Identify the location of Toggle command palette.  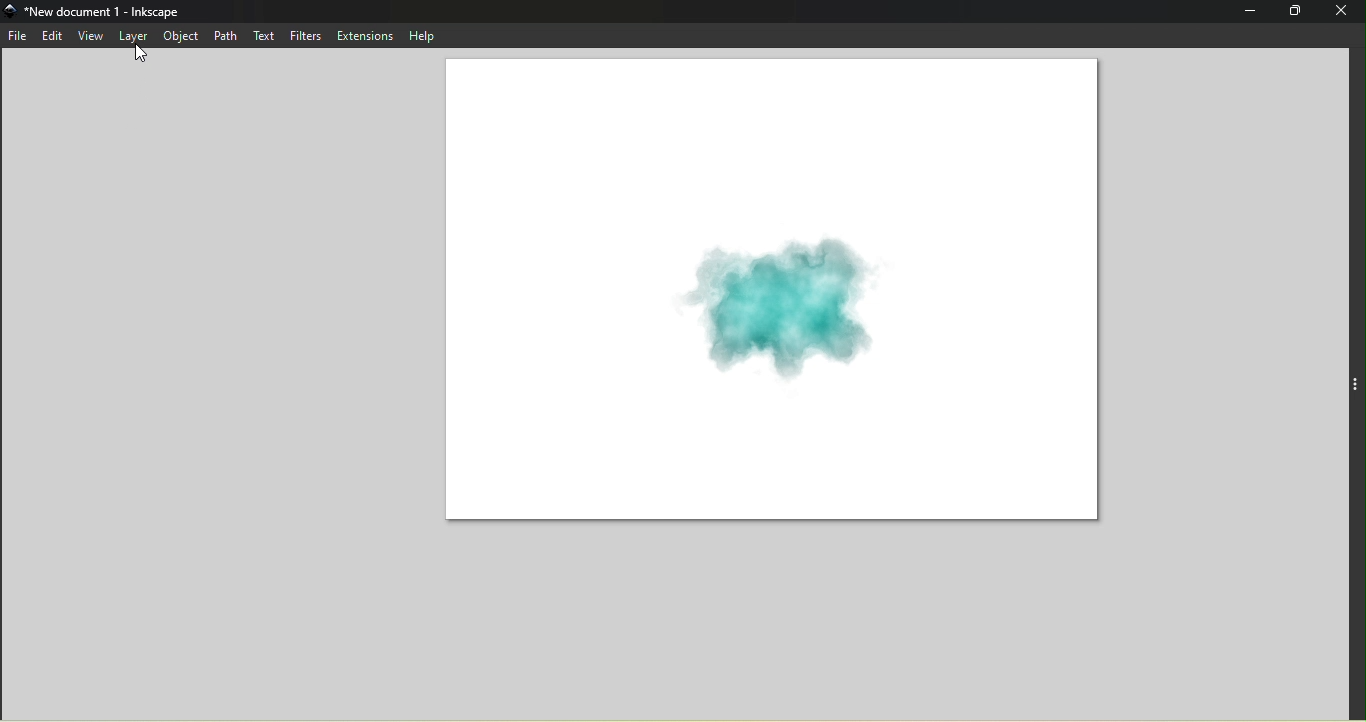
(1356, 381).